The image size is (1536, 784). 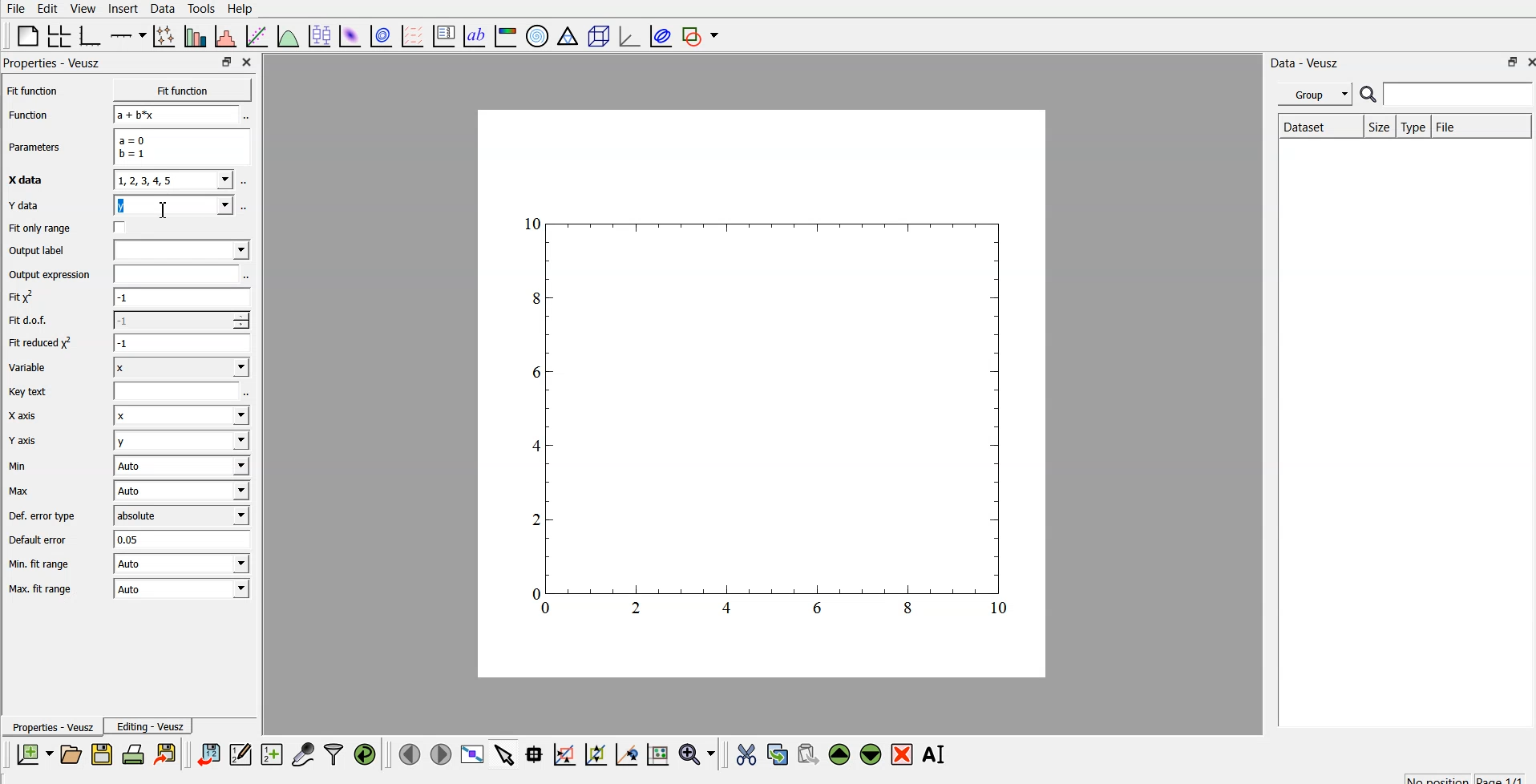 I want to click on cursor, so click(x=165, y=209).